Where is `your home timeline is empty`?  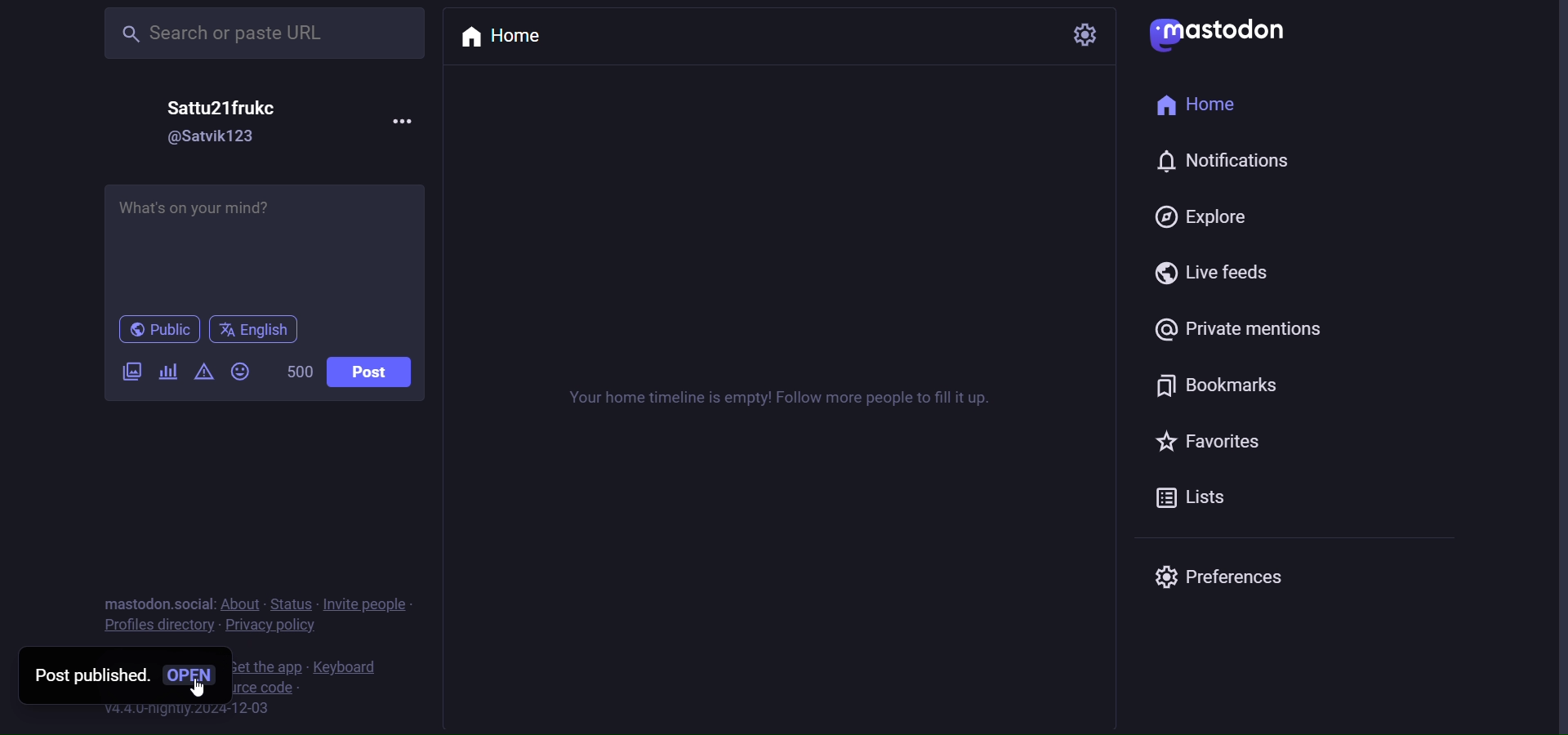 your home timeline is empty is located at coordinates (797, 398).